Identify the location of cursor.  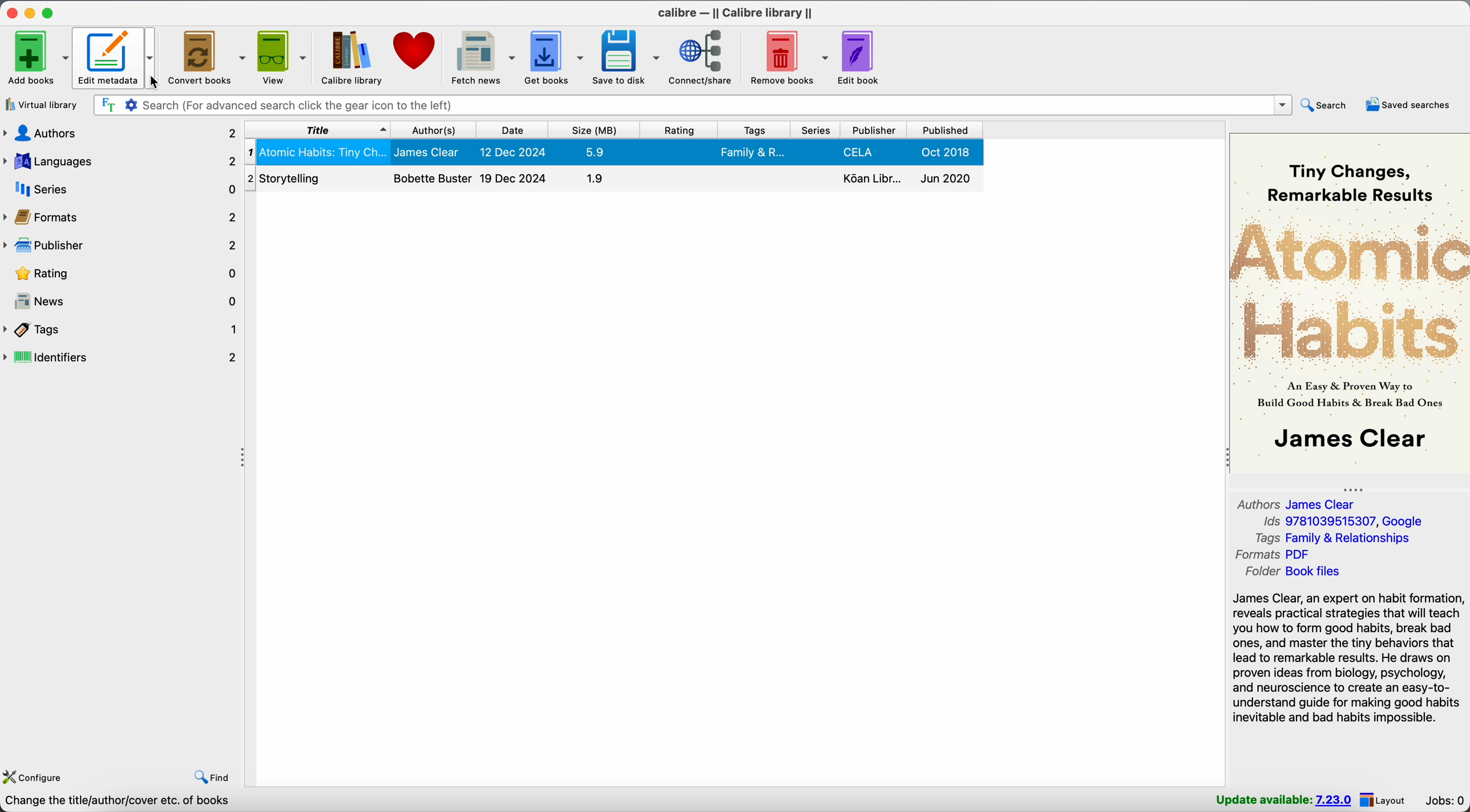
(158, 82).